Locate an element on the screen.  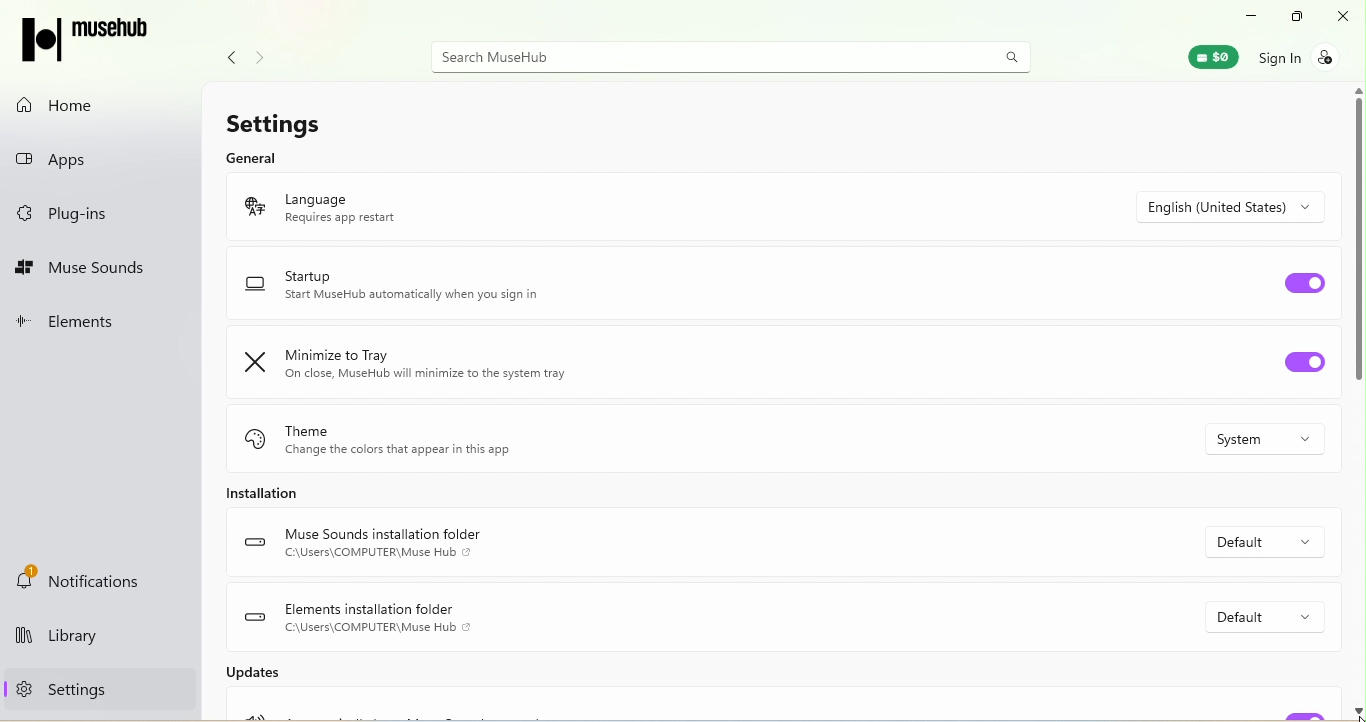
Installation is located at coordinates (275, 492).